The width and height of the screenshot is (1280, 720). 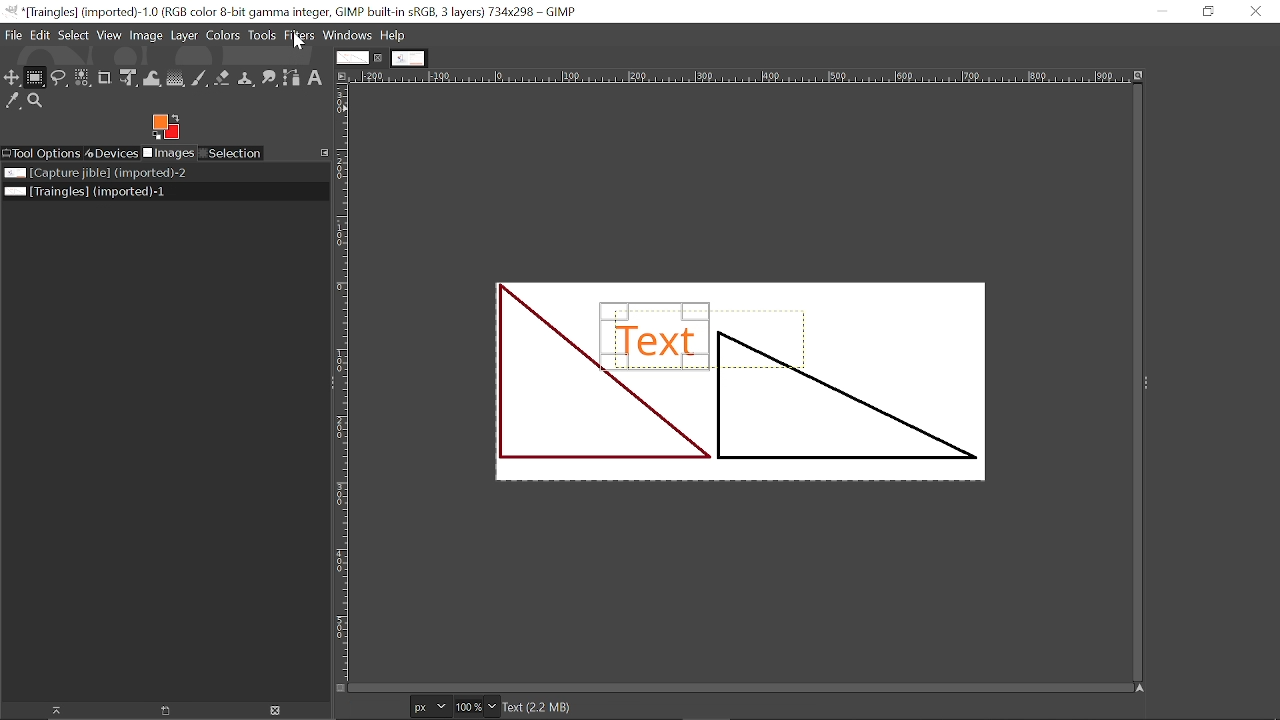 I want to click on eraser tool, so click(x=223, y=80).